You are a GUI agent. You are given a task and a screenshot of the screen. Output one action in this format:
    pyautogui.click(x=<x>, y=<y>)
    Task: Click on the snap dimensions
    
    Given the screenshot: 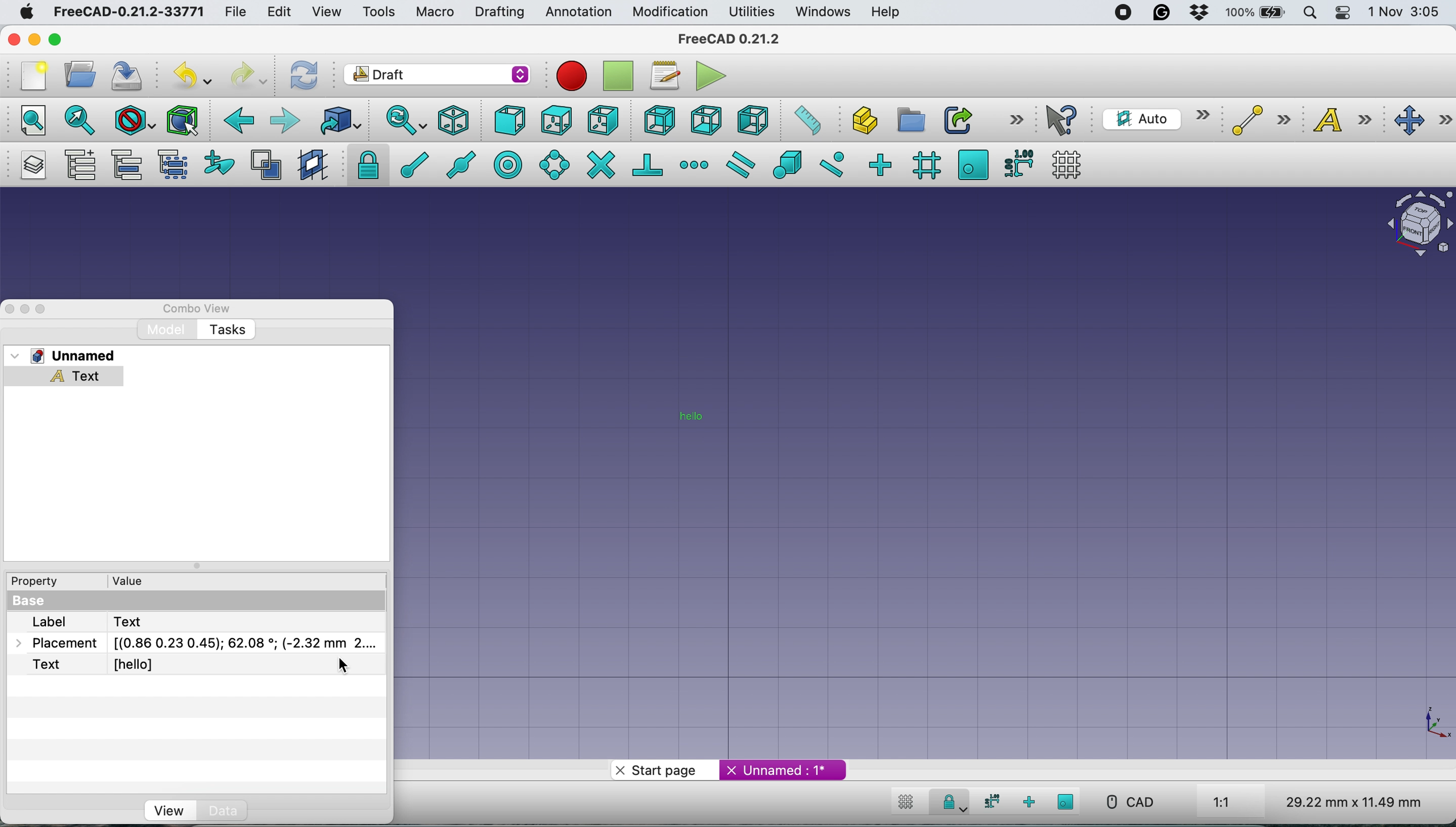 What is the action you would take?
    pyautogui.click(x=1017, y=165)
    